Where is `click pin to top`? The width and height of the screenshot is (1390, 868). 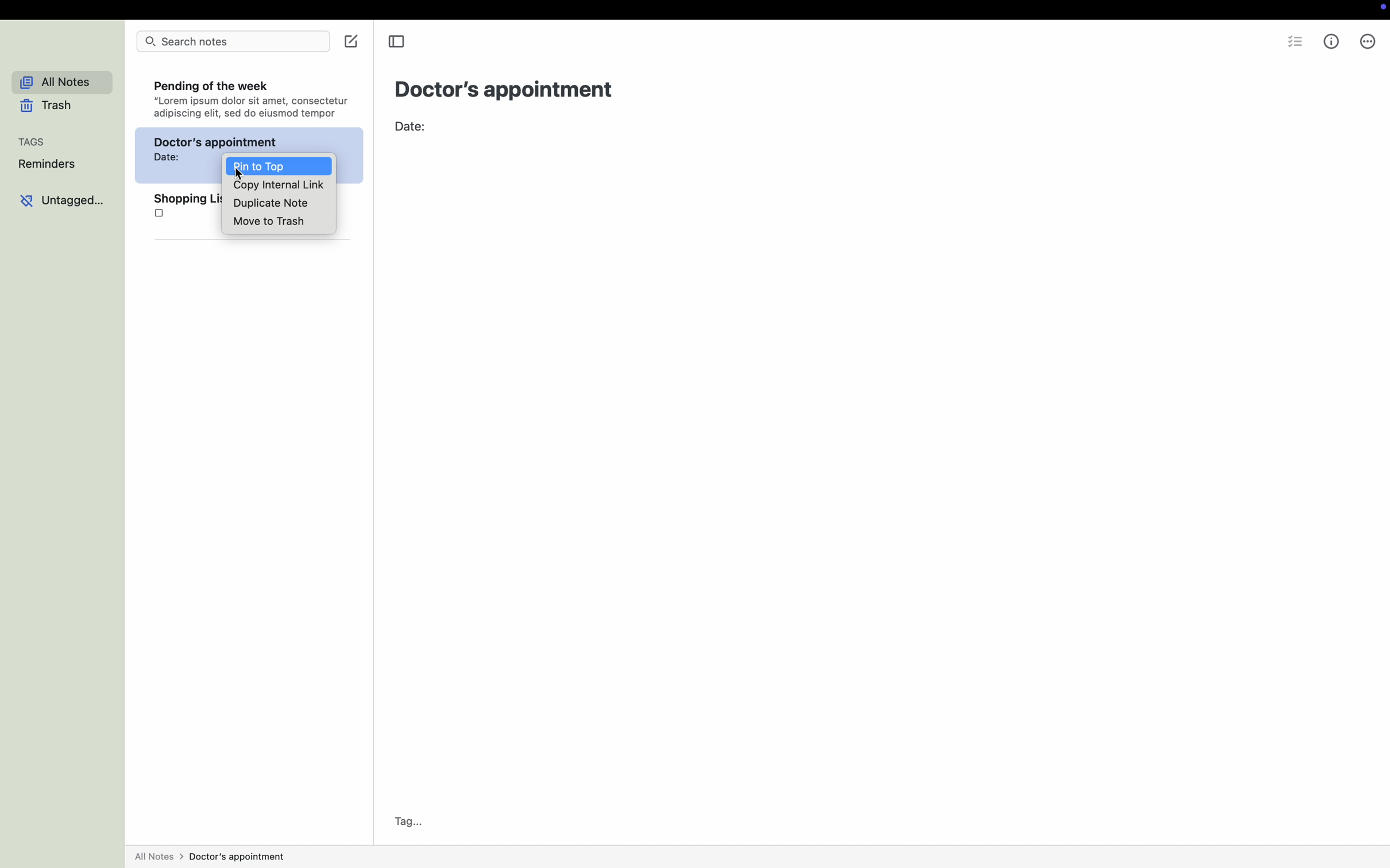
click pin to top is located at coordinates (285, 165).